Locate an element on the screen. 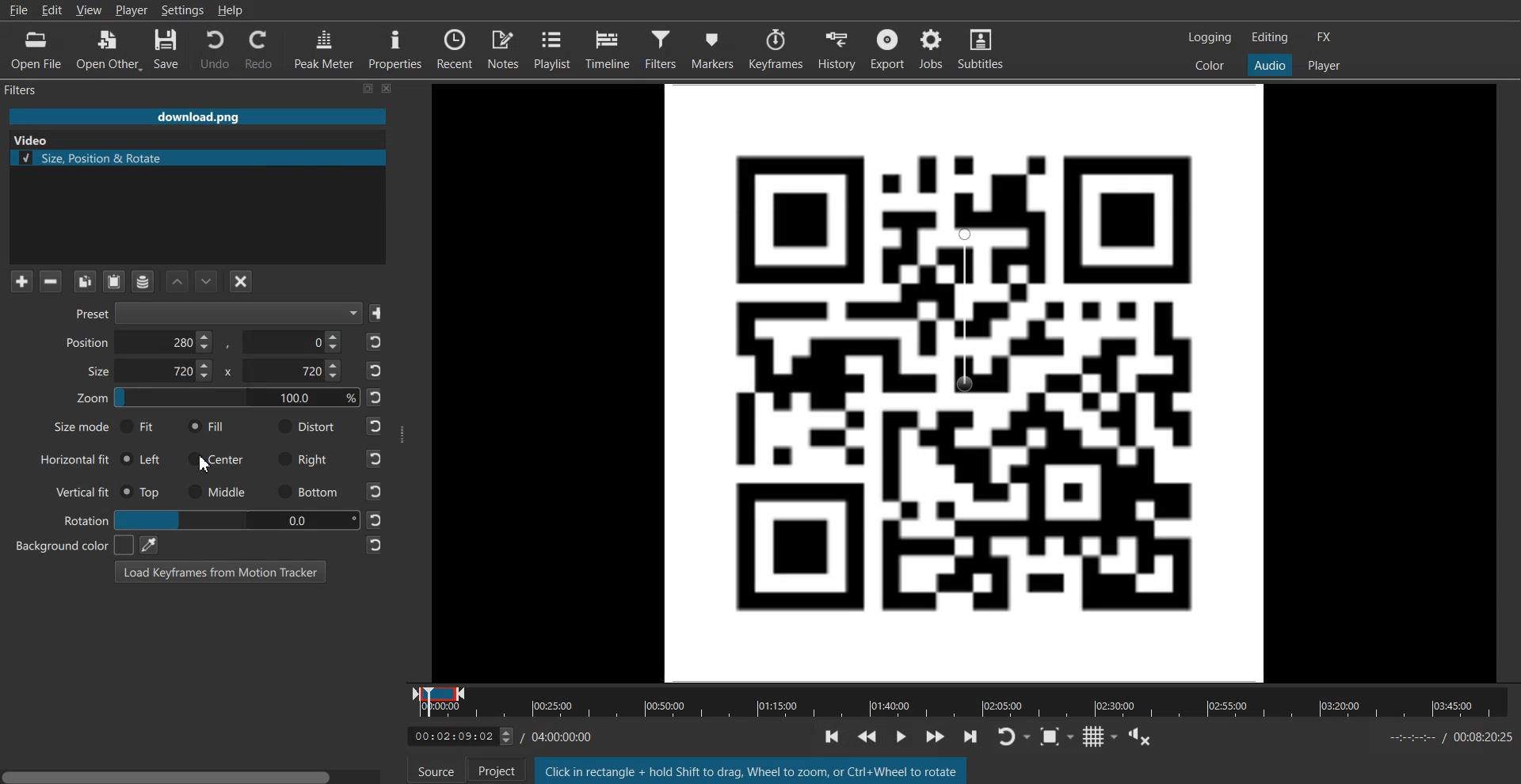 The width and height of the screenshot is (1521, 784). Switch to the color layout is located at coordinates (1210, 66).